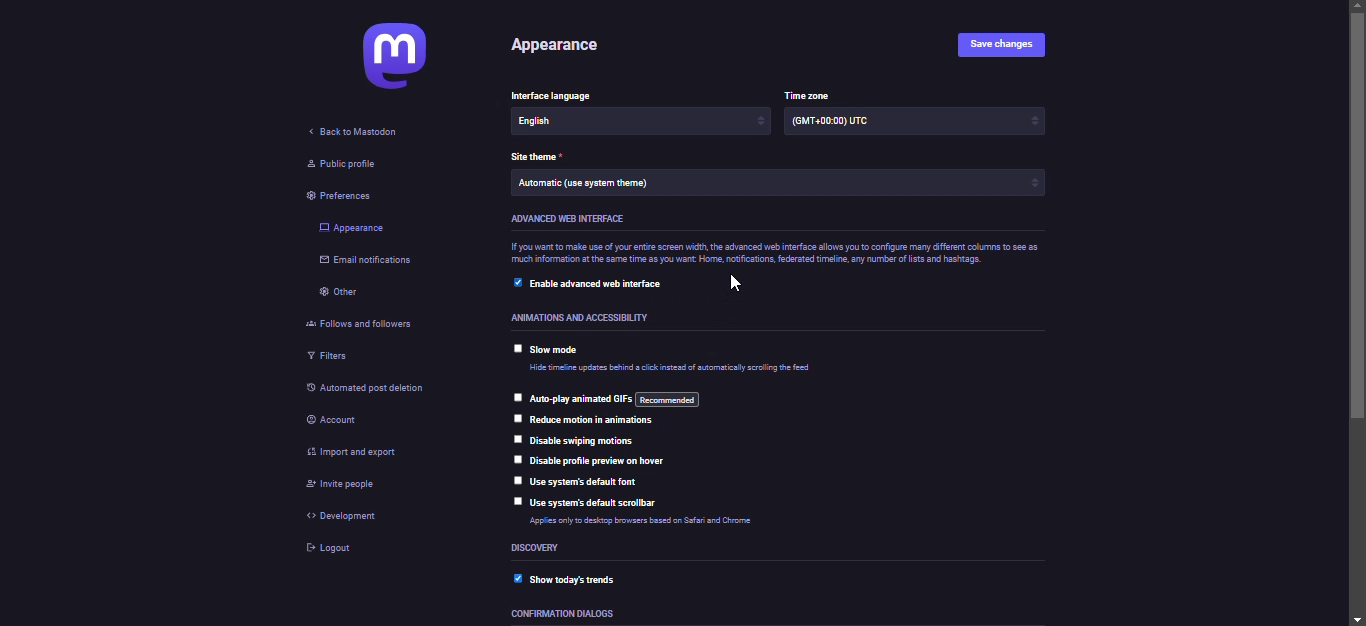 Image resolution: width=1366 pixels, height=626 pixels. I want to click on Automatic (use system theme), so click(765, 183).